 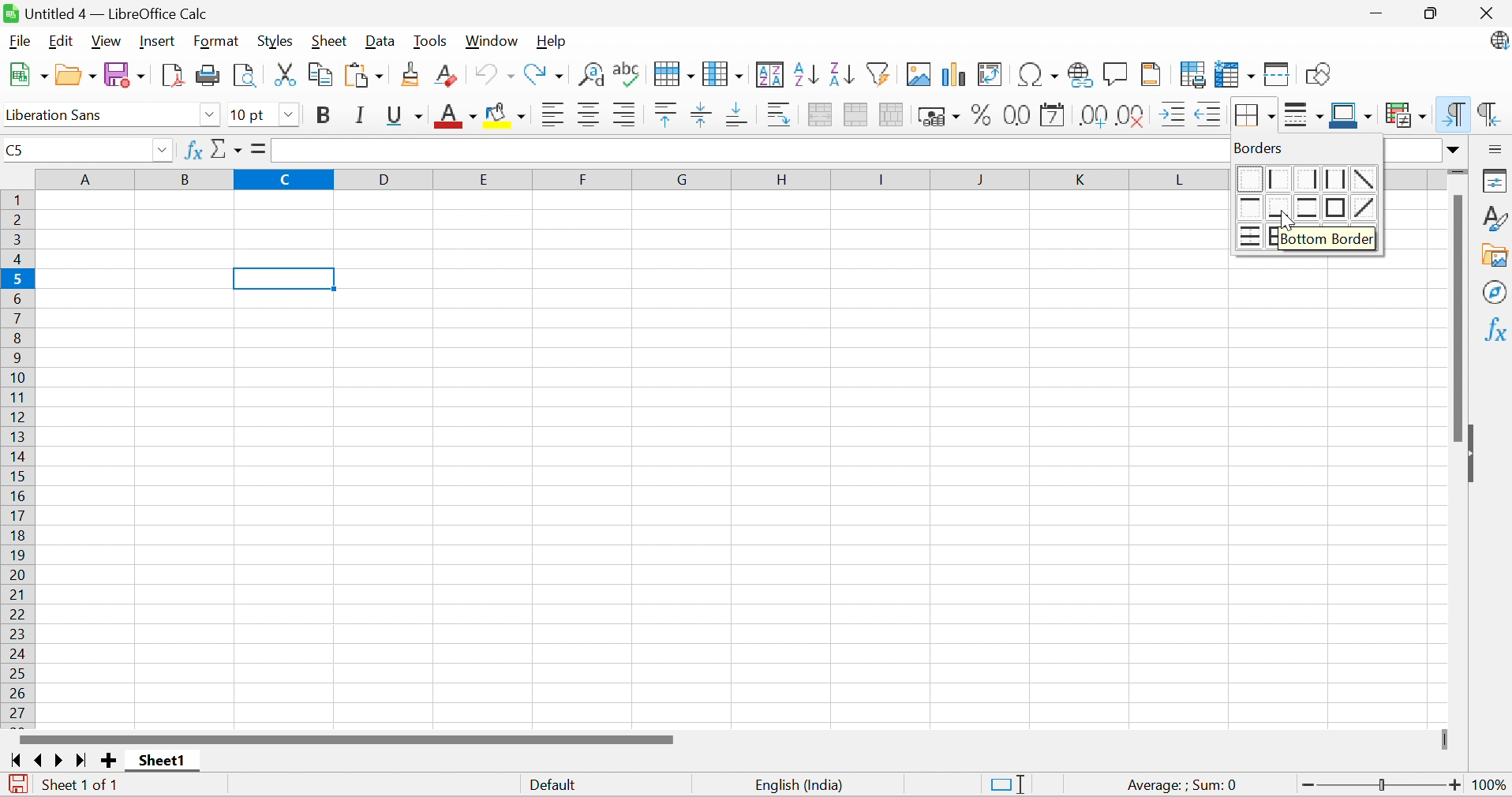 I want to click on Split window, so click(x=1278, y=76).